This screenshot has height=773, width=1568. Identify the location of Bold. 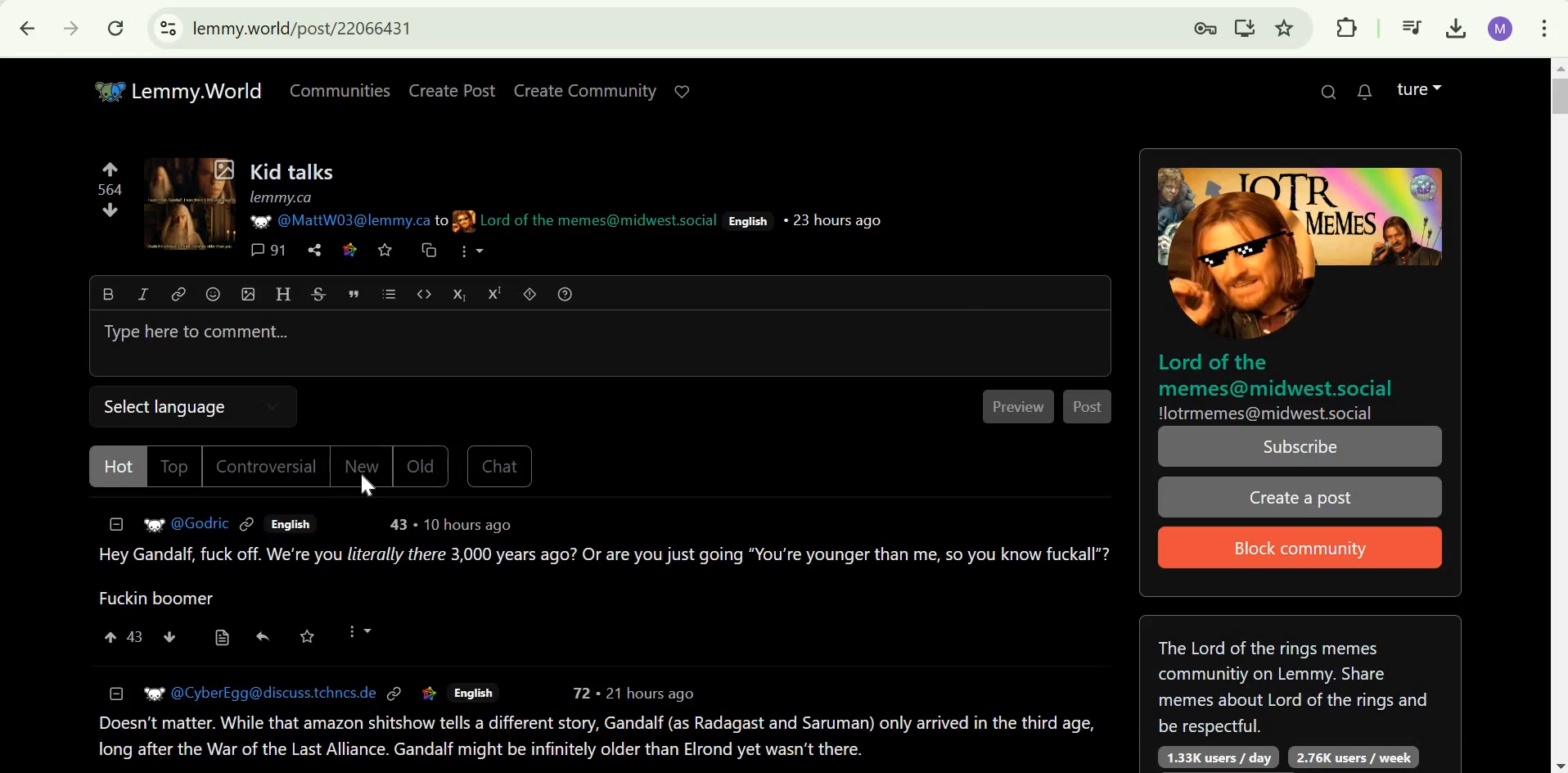
(110, 293).